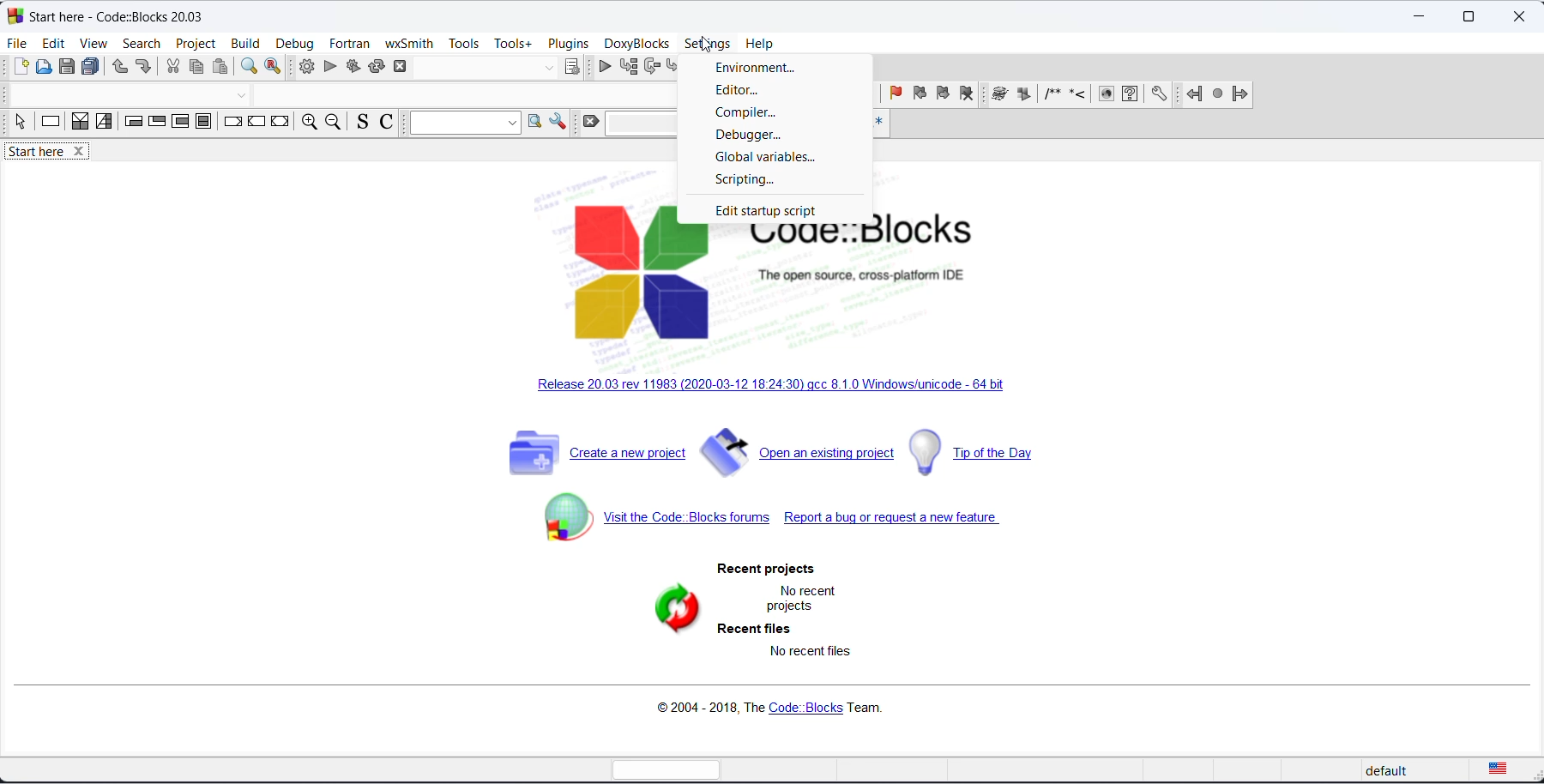  What do you see at coordinates (135, 122) in the screenshot?
I see `entry condition loop` at bounding box center [135, 122].